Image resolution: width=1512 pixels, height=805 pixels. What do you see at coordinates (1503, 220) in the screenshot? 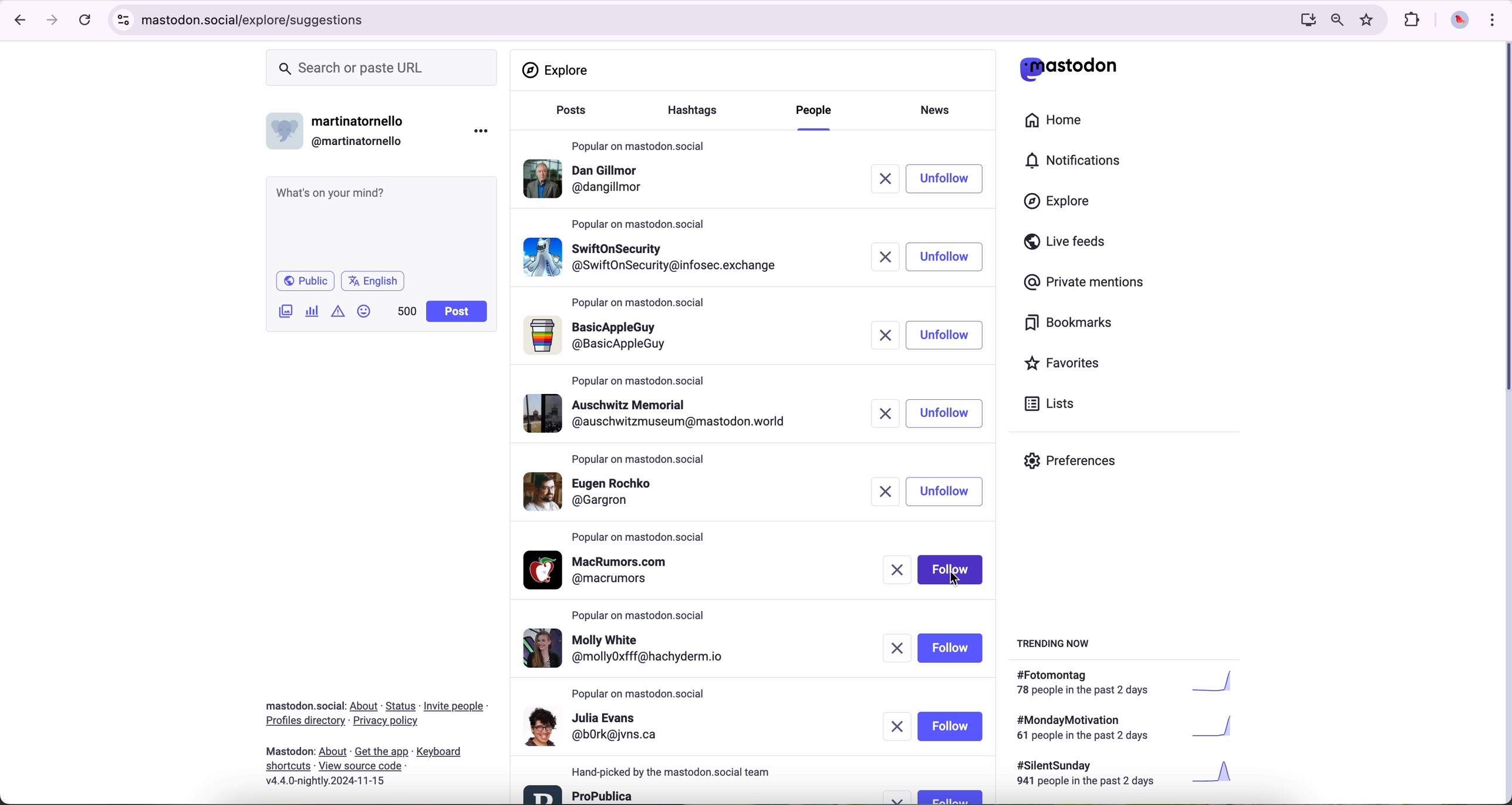
I see `scroll bar` at bounding box center [1503, 220].